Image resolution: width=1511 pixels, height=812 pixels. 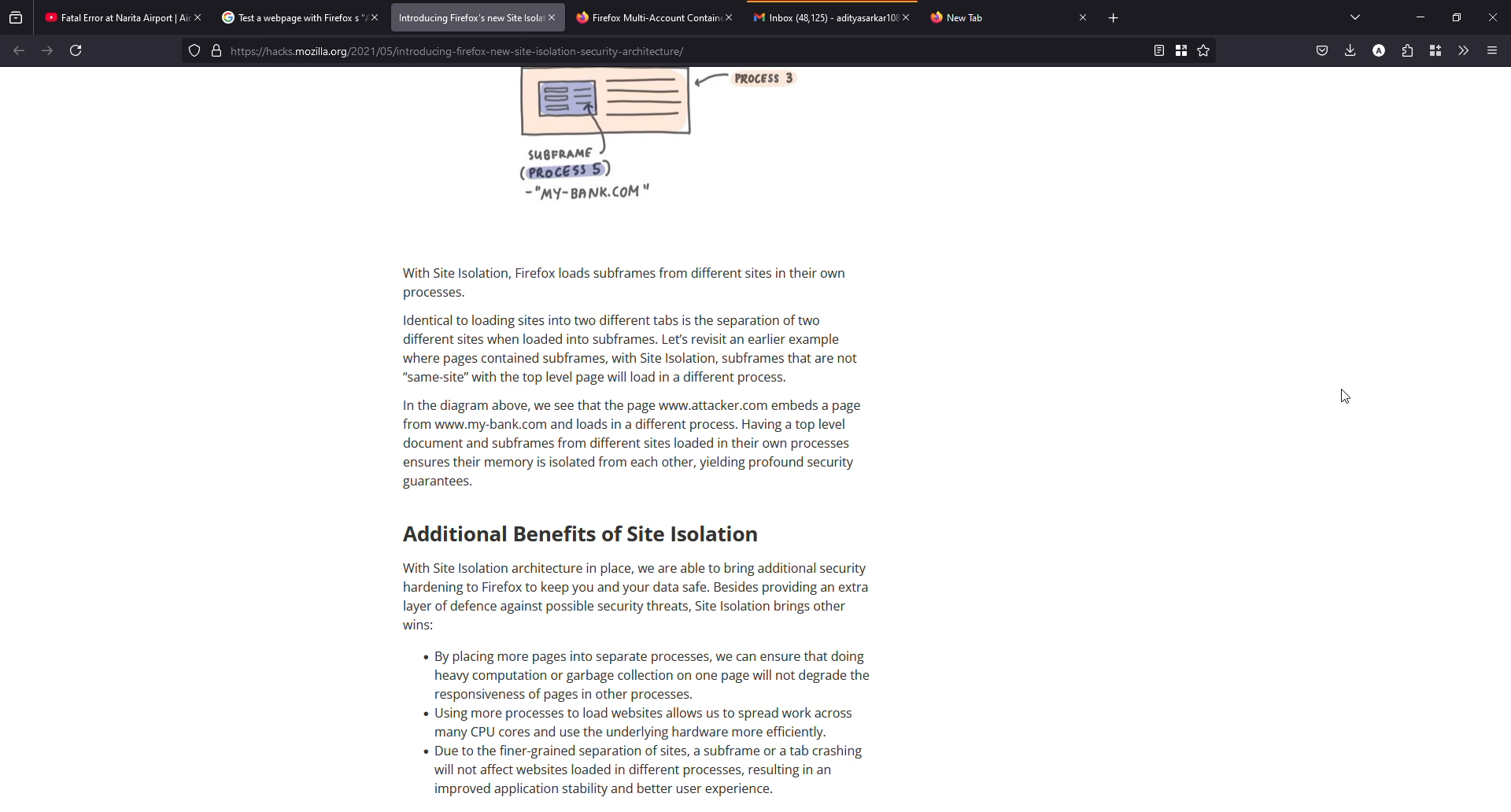 I want to click on container, so click(x=1435, y=50).